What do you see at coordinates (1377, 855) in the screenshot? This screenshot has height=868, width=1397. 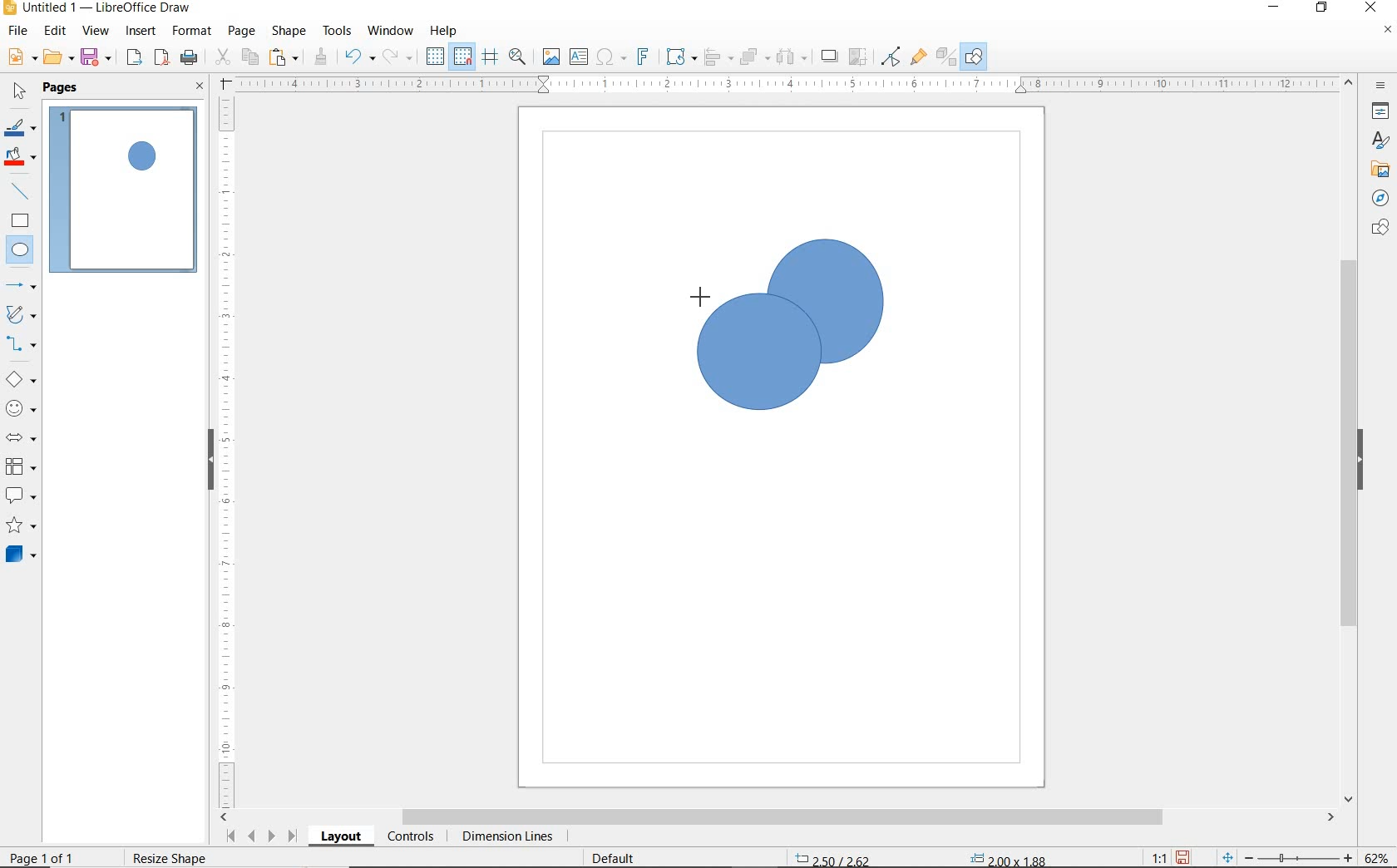 I see `ZOOM FACTOR` at bounding box center [1377, 855].